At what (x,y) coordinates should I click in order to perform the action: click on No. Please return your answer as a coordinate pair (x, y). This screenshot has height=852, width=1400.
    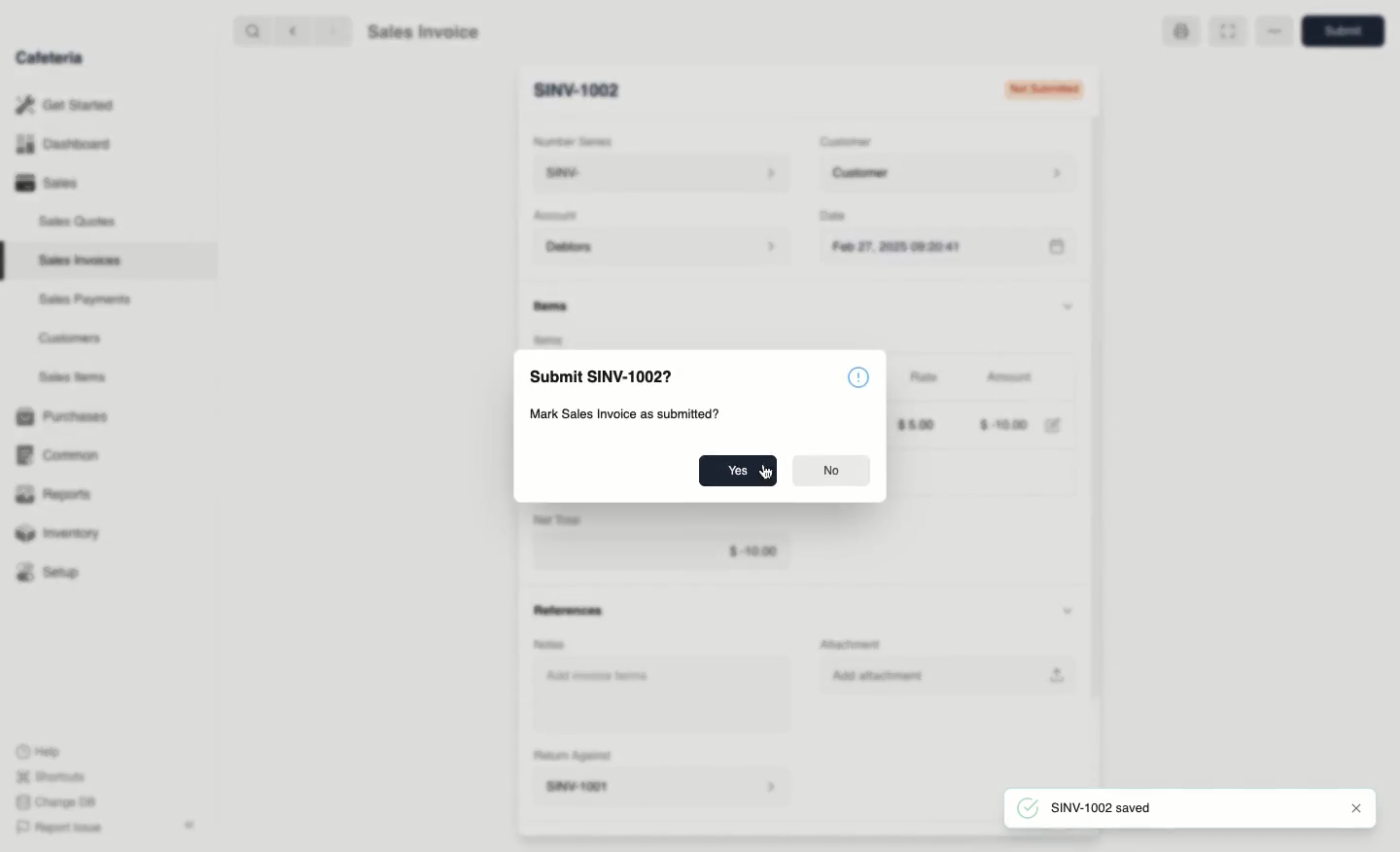
    Looking at the image, I should click on (834, 470).